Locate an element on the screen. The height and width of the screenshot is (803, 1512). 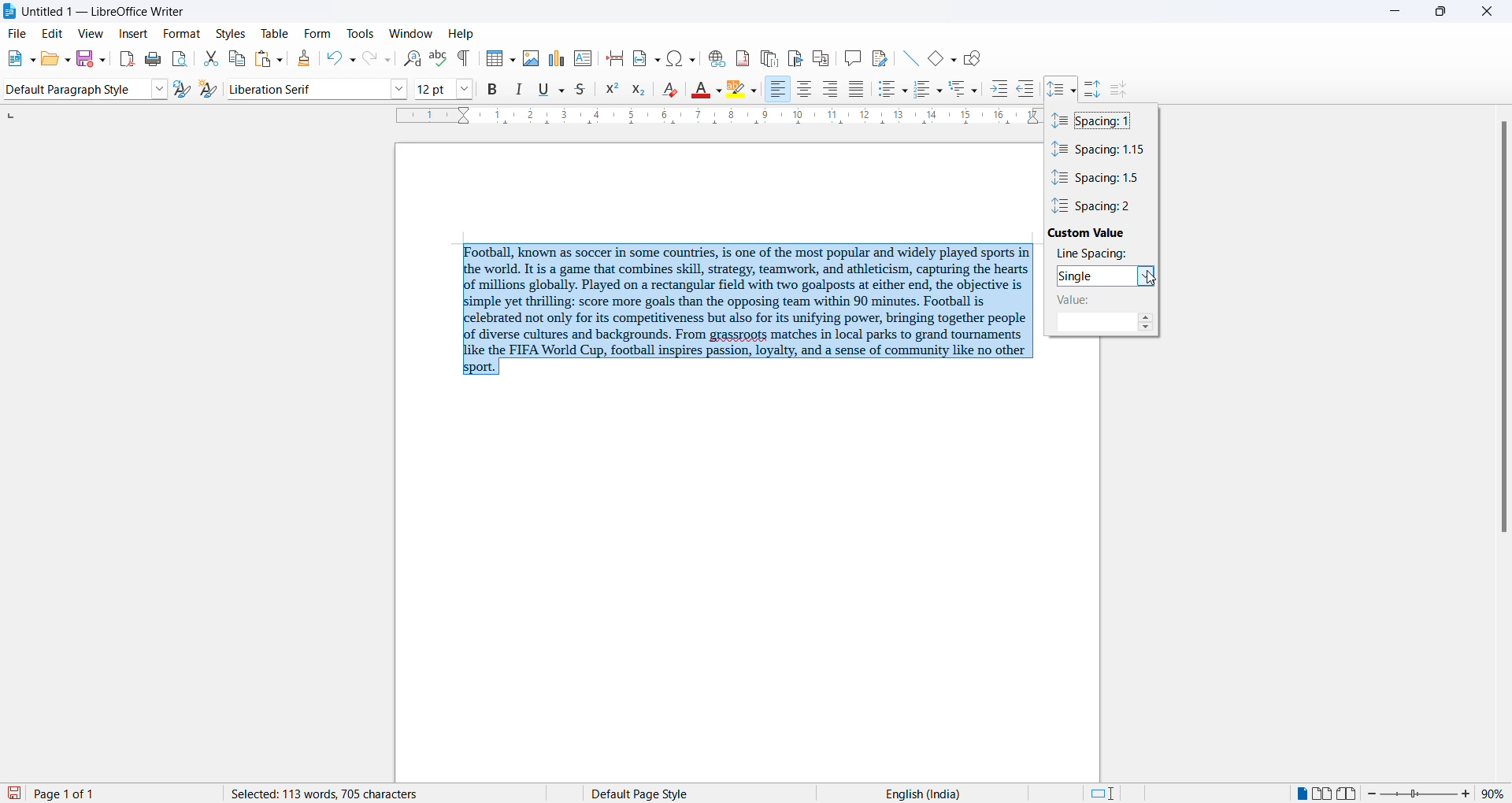
toggle formatting marks is located at coordinates (465, 60).